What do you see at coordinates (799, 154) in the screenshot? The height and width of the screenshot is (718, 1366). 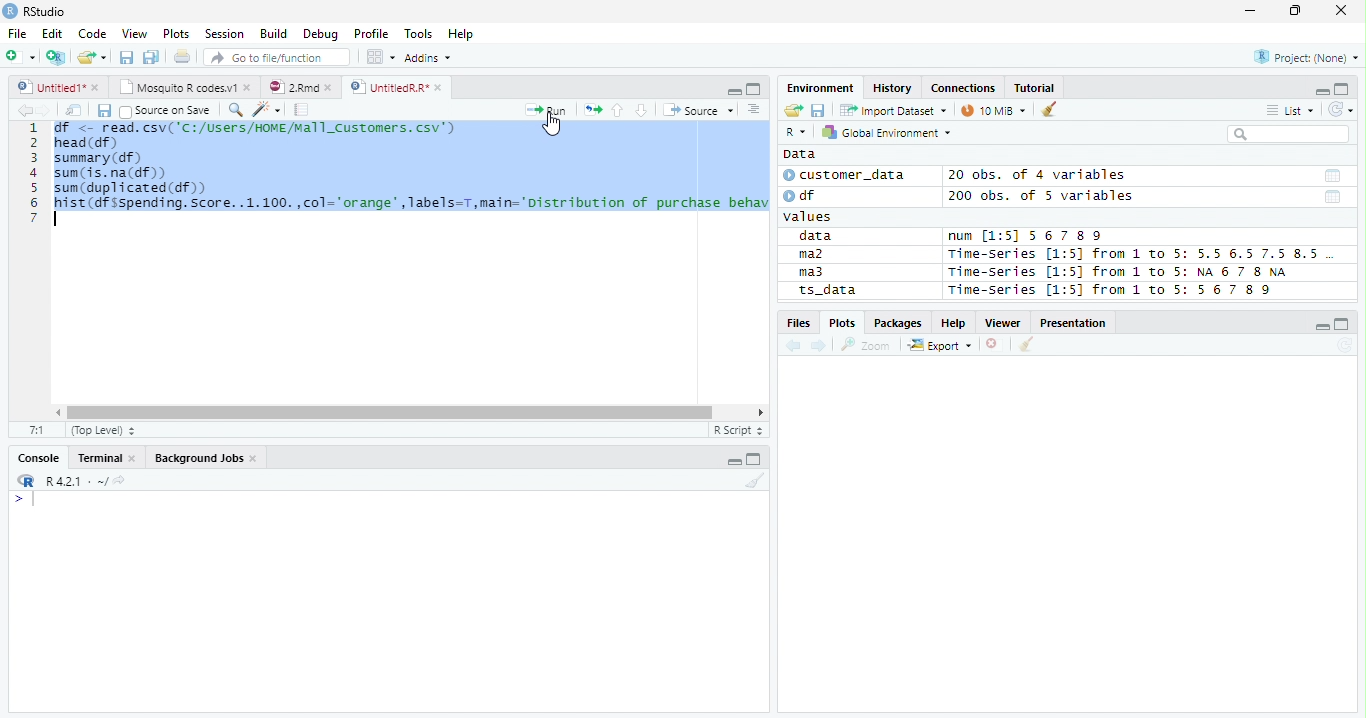 I see `Data` at bounding box center [799, 154].